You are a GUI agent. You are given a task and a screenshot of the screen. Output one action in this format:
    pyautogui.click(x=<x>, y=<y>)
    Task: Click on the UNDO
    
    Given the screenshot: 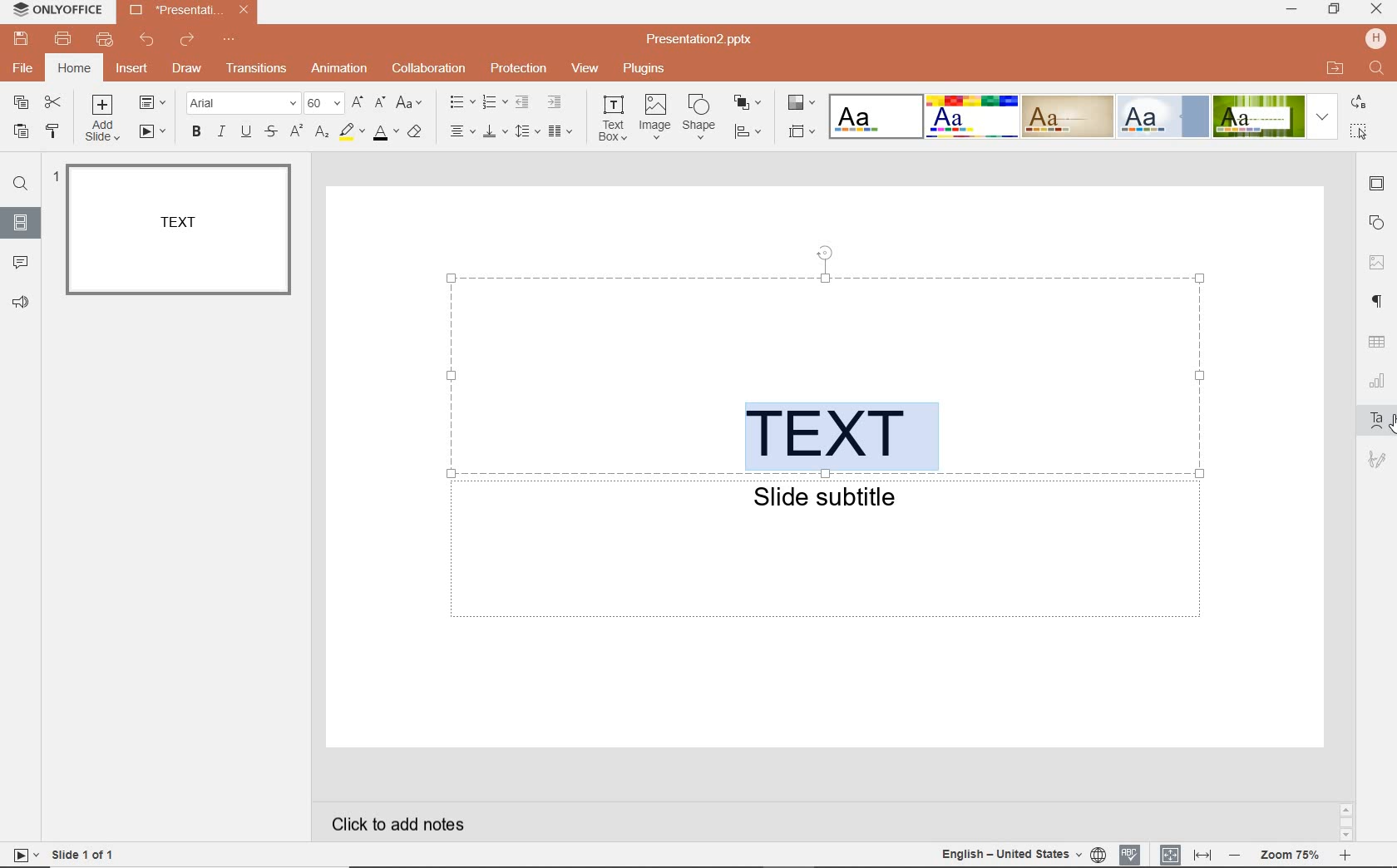 What is the action you would take?
    pyautogui.click(x=147, y=39)
    